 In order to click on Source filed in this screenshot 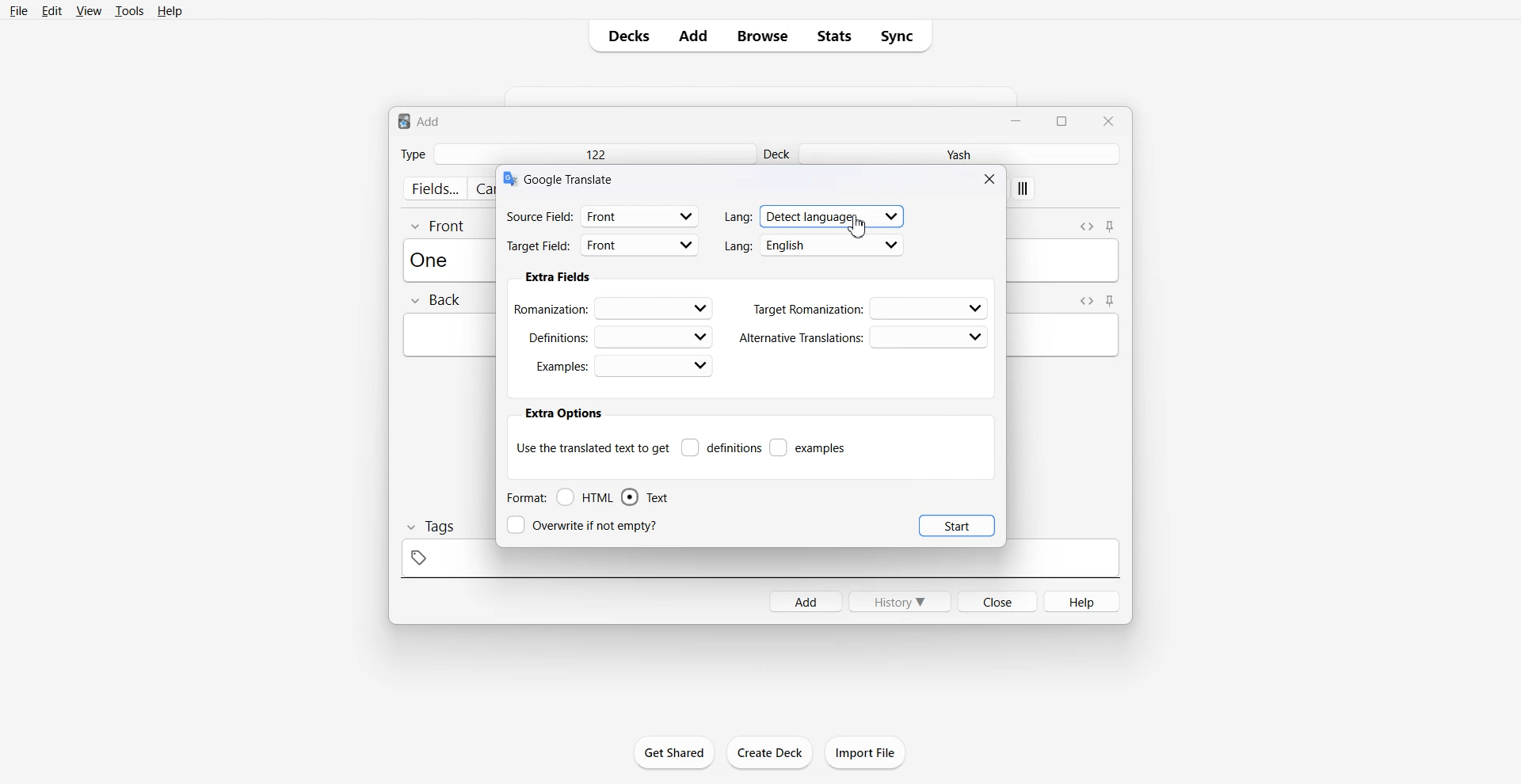, I will do `click(603, 215)`.